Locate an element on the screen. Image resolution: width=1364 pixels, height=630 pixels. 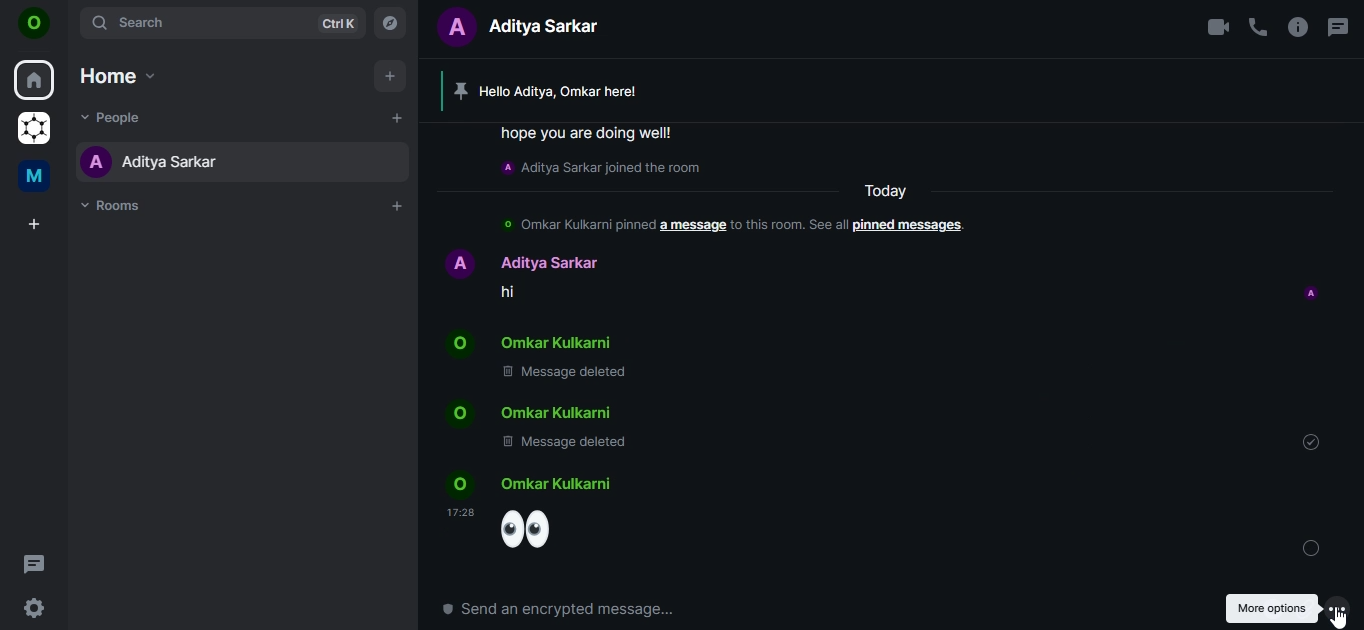
home is located at coordinates (34, 80).